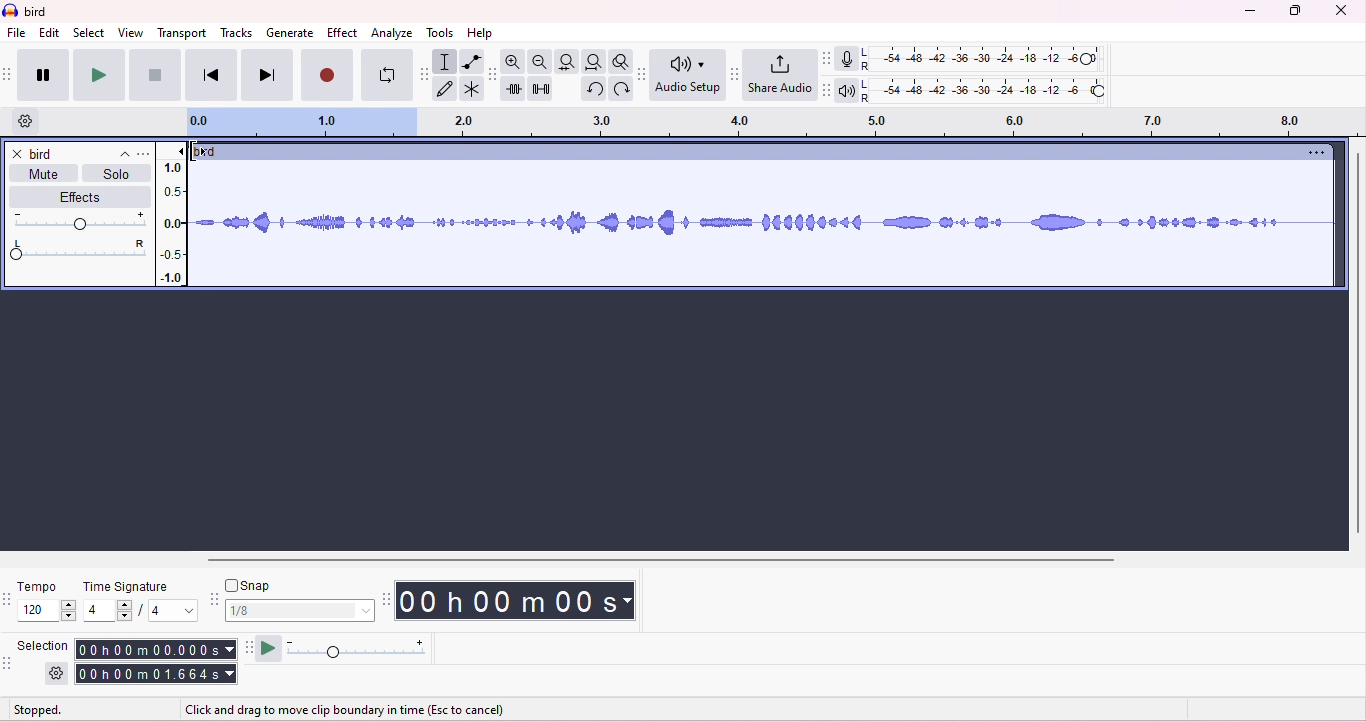 Image resolution: width=1366 pixels, height=722 pixels. I want to click on record meter, so click(845, 59).